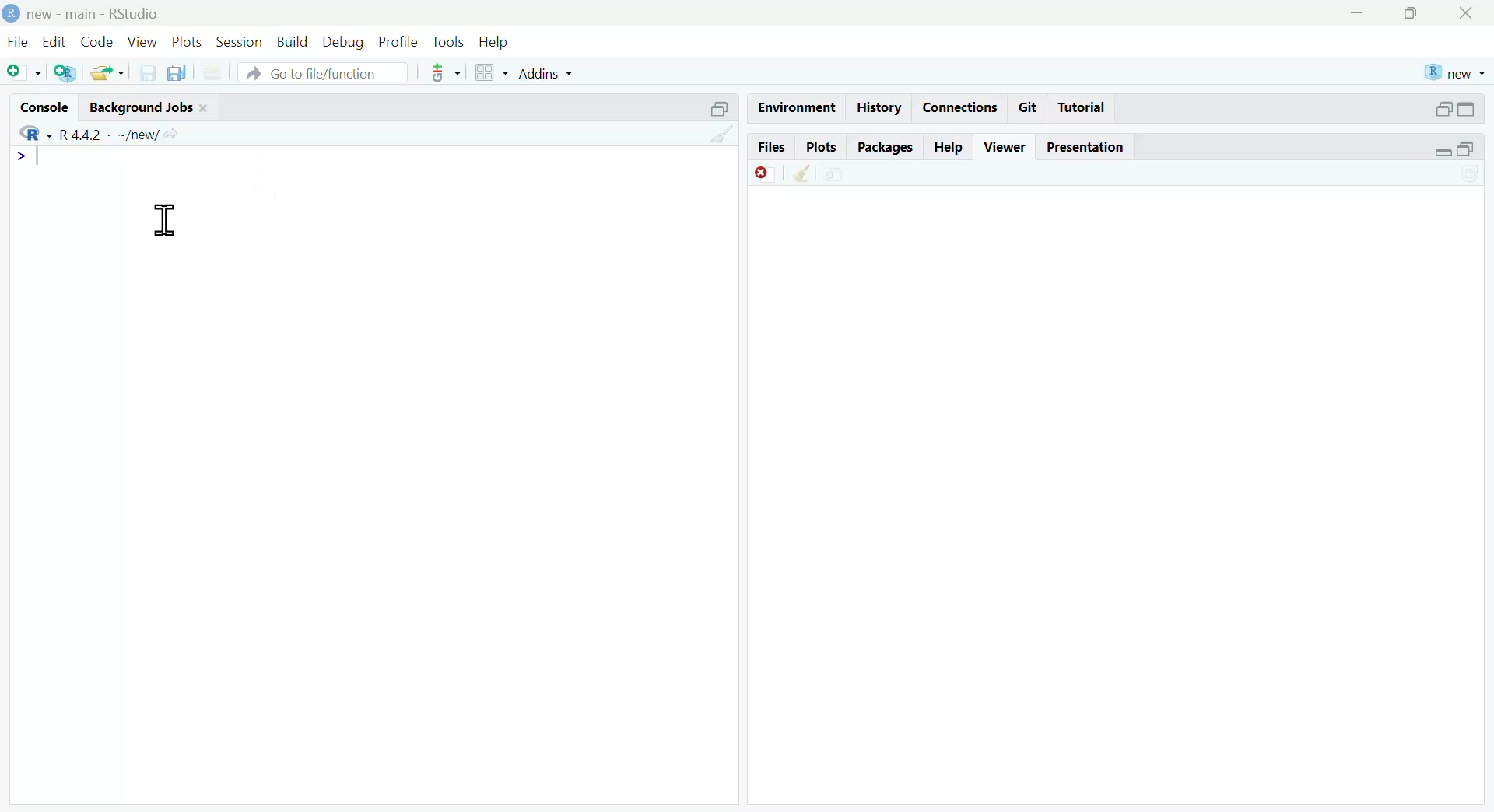 The width and height of the screenshot is (1494, 812). What do you see at coordinates (1467, 149) in the screenshot?
I see `maximize` at bounding box center [1467, 149].